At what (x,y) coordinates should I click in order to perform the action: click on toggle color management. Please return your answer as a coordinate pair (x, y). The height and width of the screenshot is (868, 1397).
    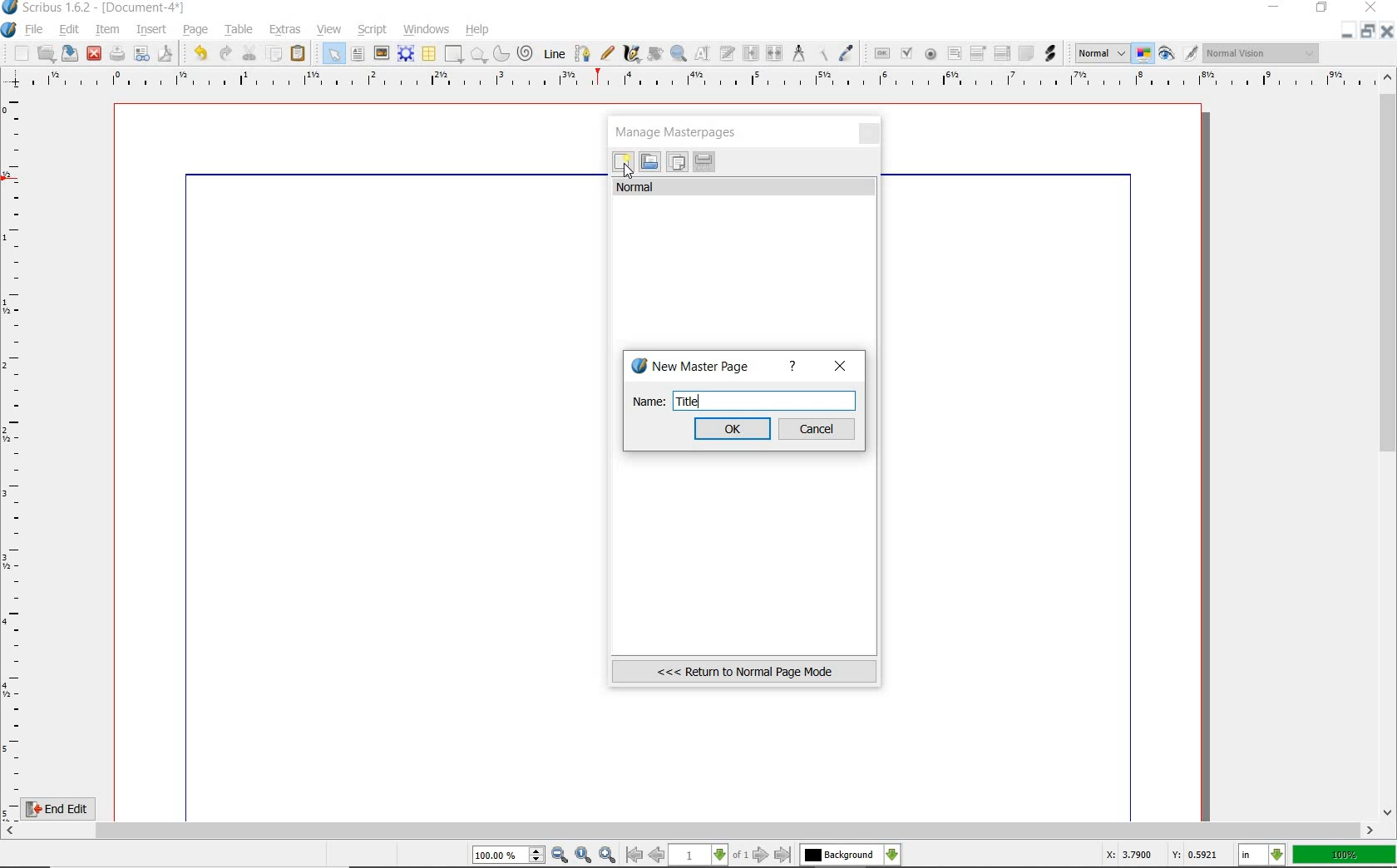
    Looking at the image, I should click on (1144, 55).